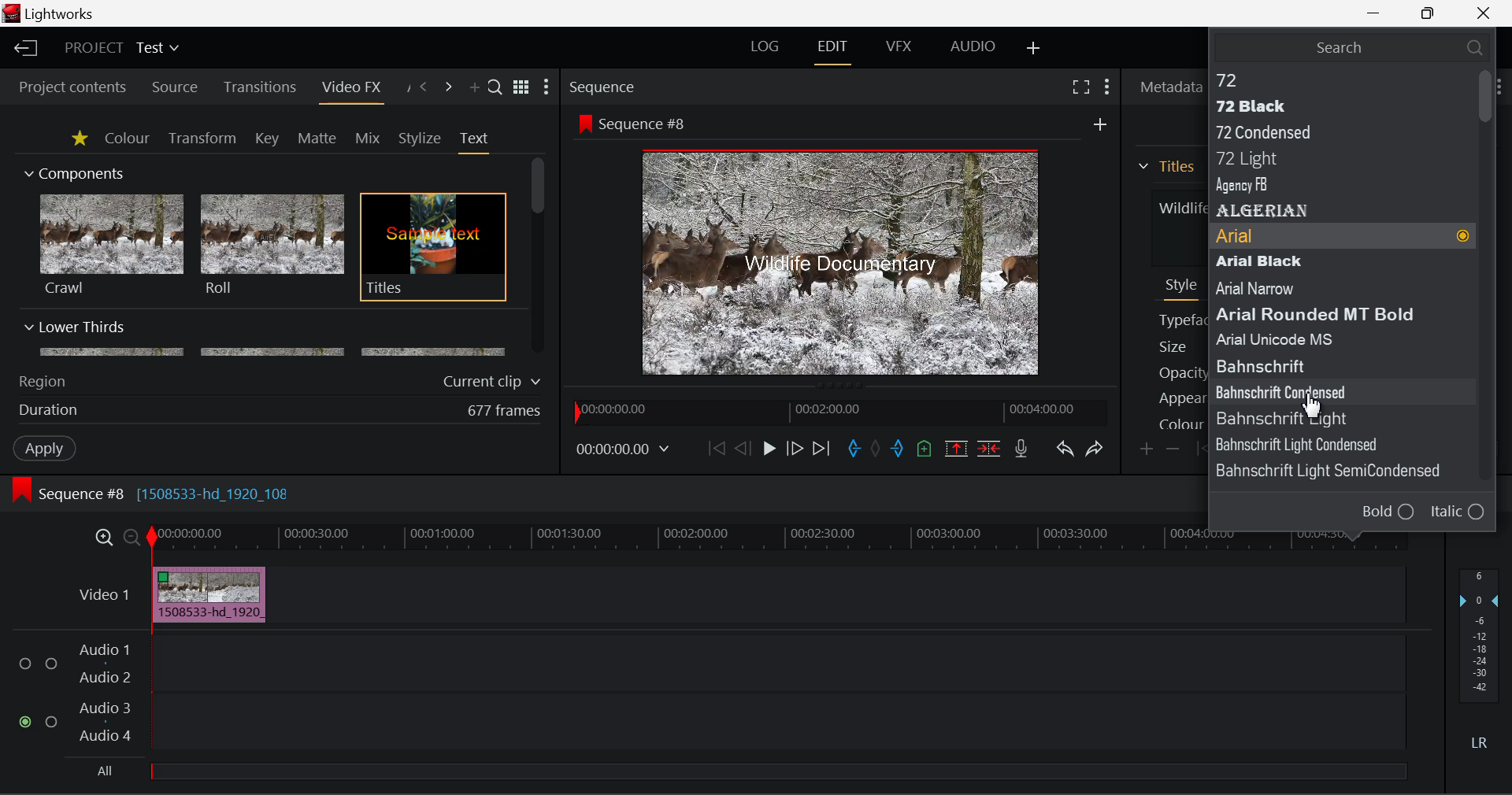 The width and height of the screenshot is (1512, 795). What do you see at coordinates (205, 595) in the screenshot?
I see `Clip Inserted` at bounding box center [205, 595].